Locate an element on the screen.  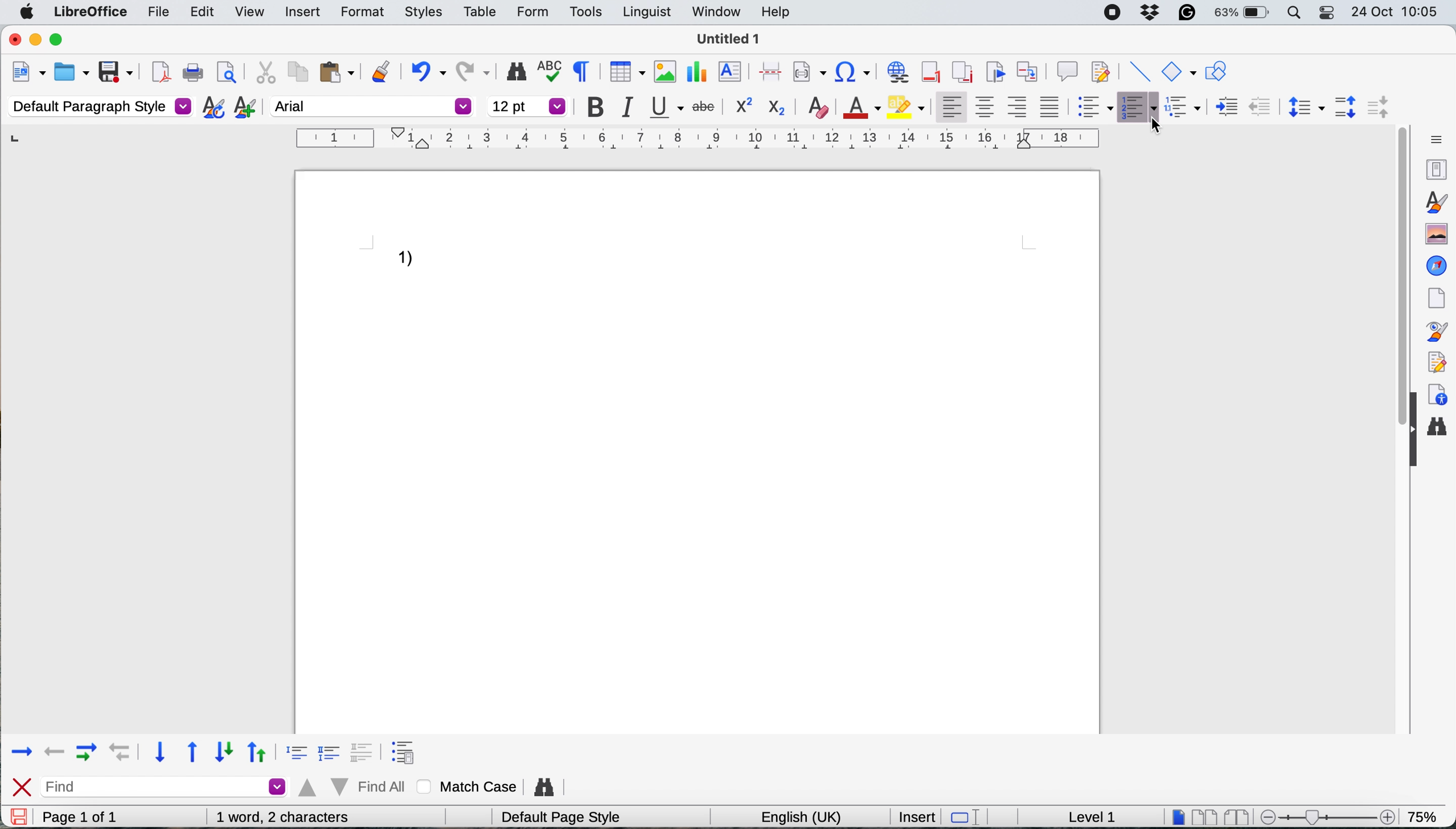
Untitled 1 is located at coordinates (728, 39).